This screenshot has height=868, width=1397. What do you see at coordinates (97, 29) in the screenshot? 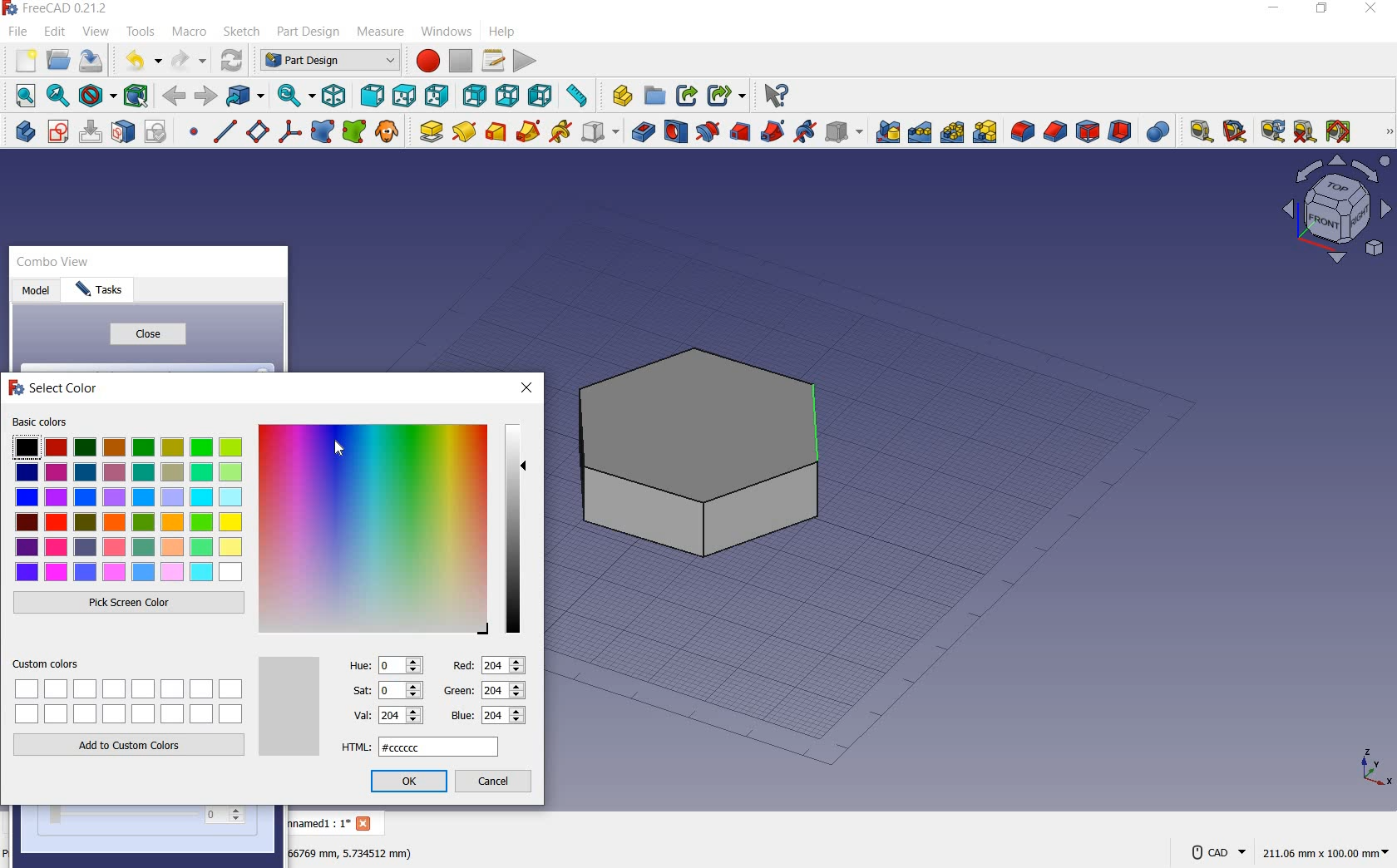
I see `view` at bounding box center [97, 29].